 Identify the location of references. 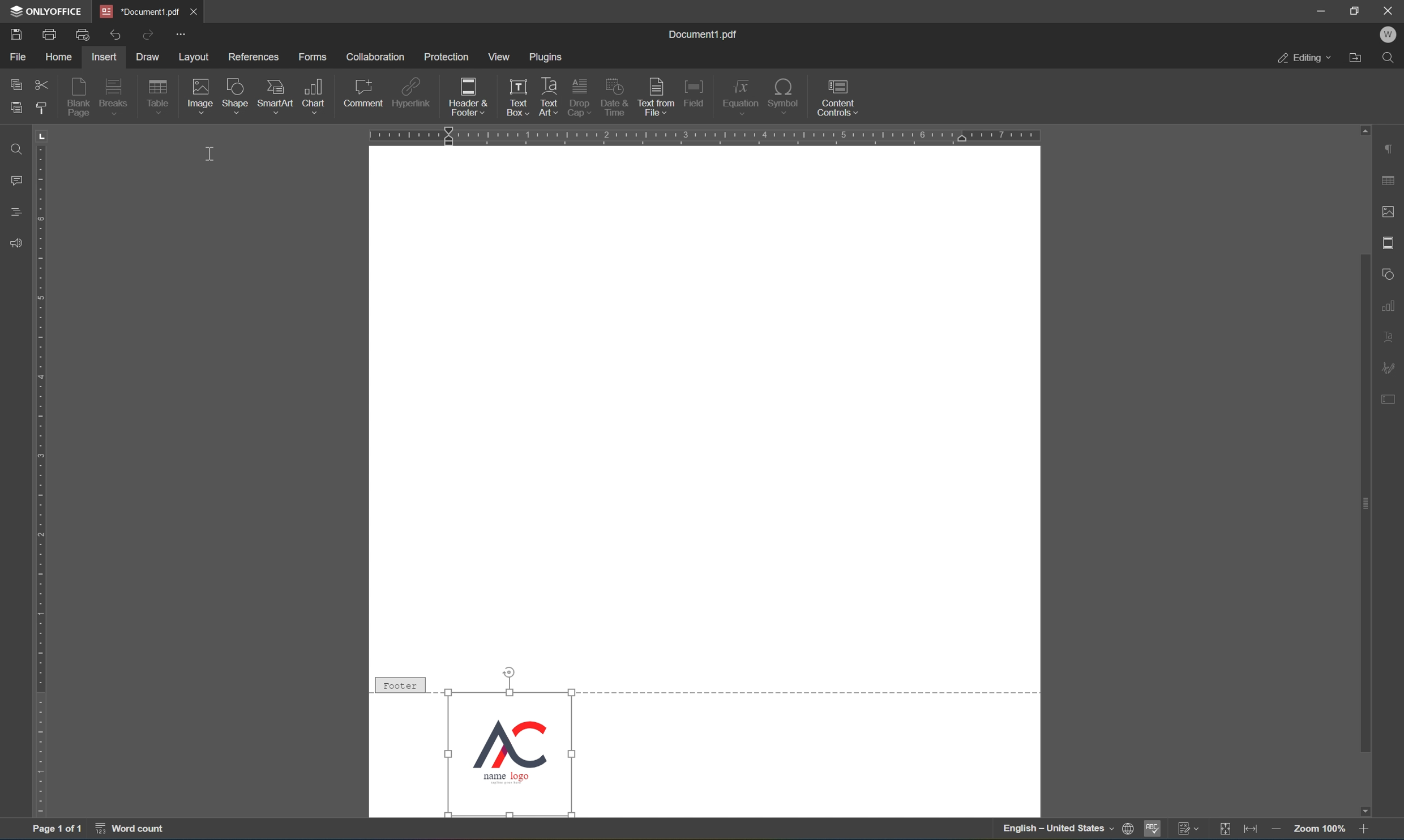
(251, 59).